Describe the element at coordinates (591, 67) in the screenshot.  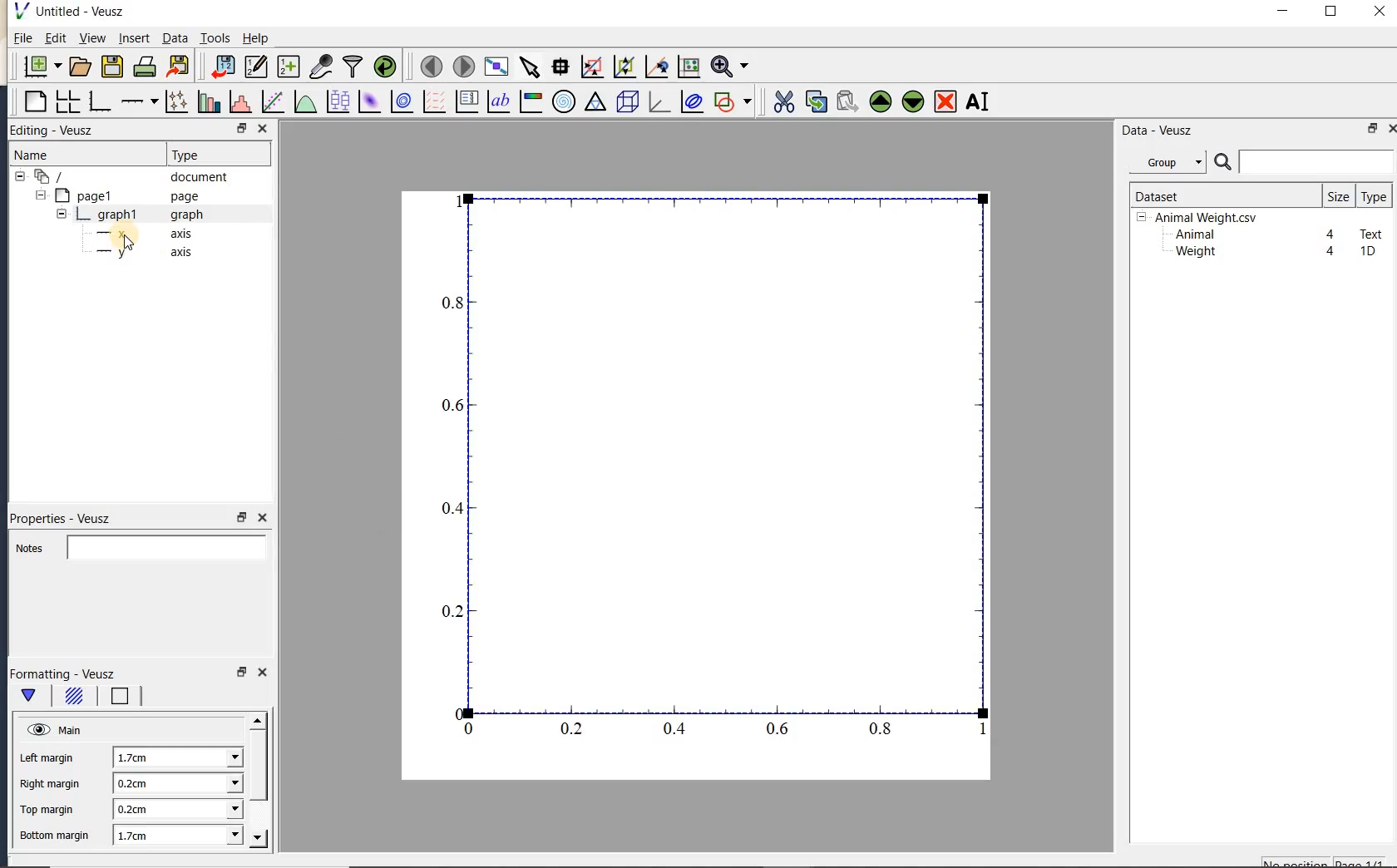
I see `click or draw a rectangle to zoom graph axes` at that location.